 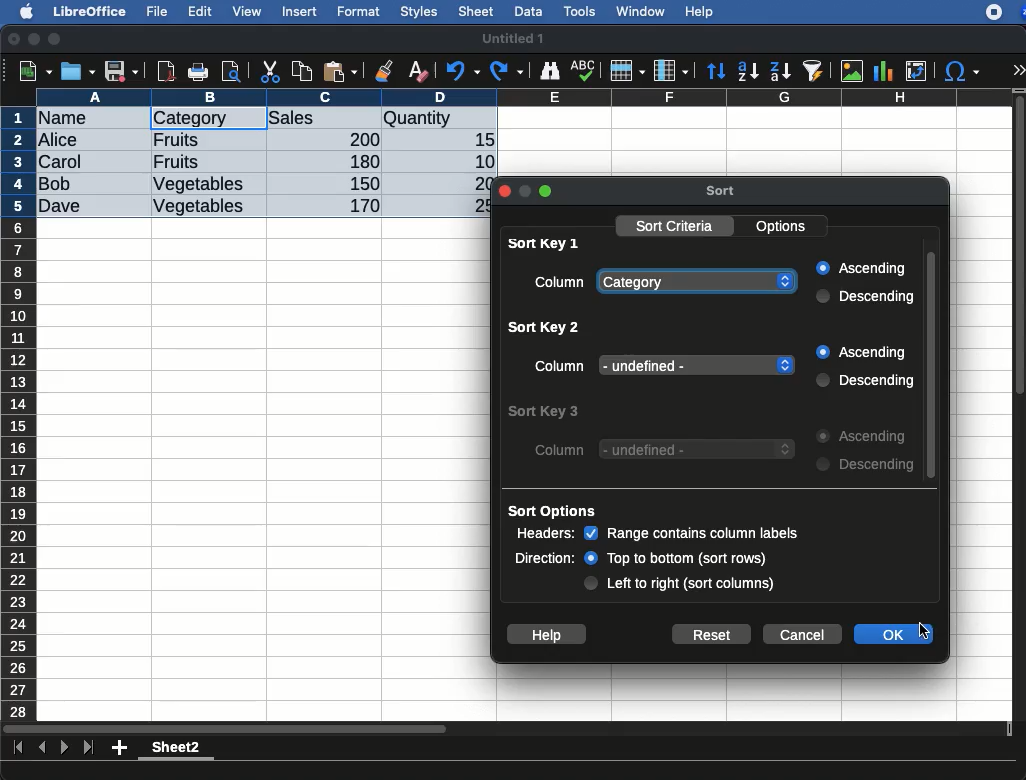 What do you see at coordinates (700, 13) in the screenshot?
I see `help` at bounding box center [700, 13].